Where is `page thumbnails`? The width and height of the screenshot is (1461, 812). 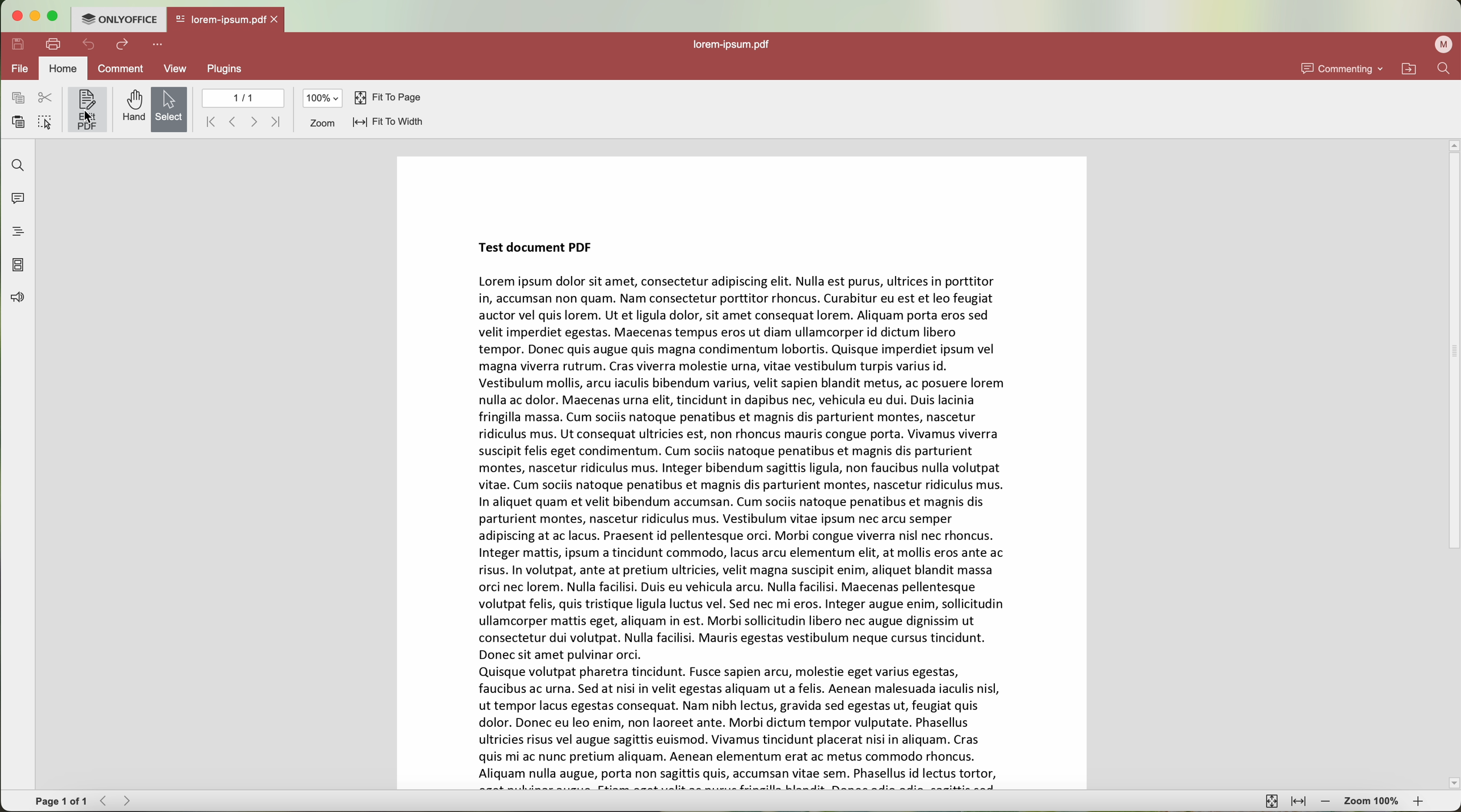 page thumbnails is located at coordinates (16, 266).